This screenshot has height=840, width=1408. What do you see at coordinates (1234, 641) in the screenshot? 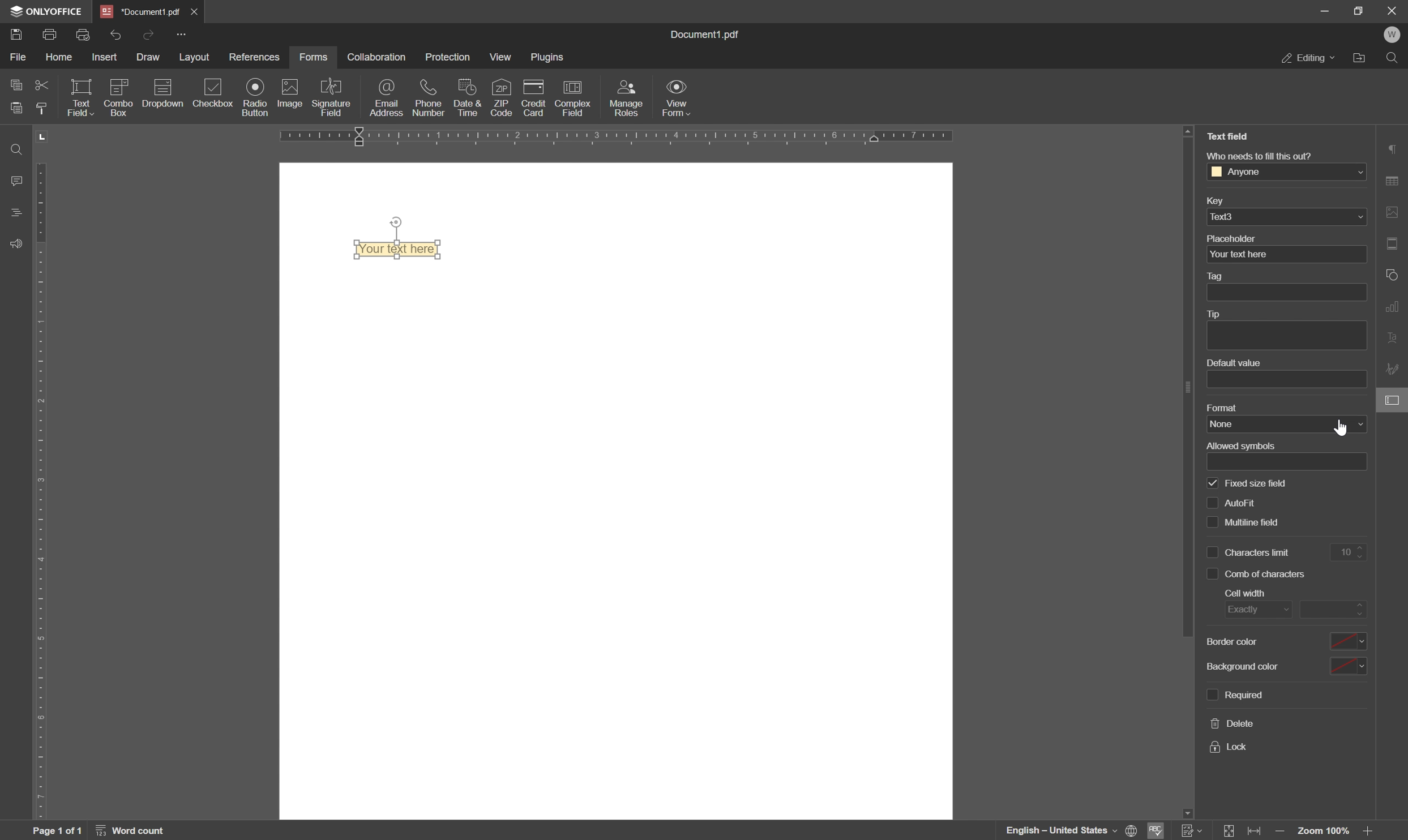
I see `border color` at bounding box center [1234, 641].